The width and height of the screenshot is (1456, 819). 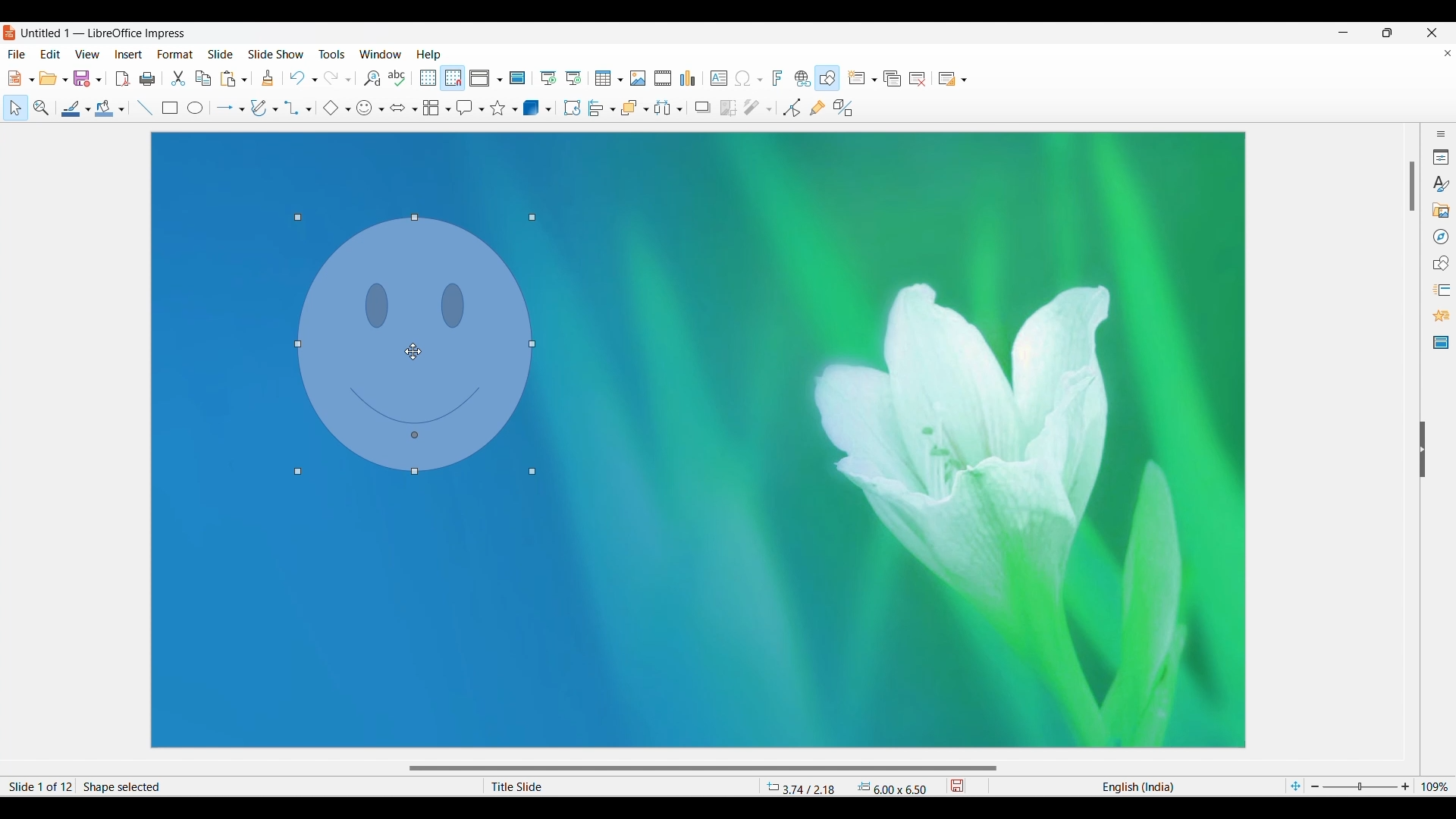 What do you see at coordinates (573, 78) in the screenshot?
I see `Start from current slide` at bounding box center [573, 78].